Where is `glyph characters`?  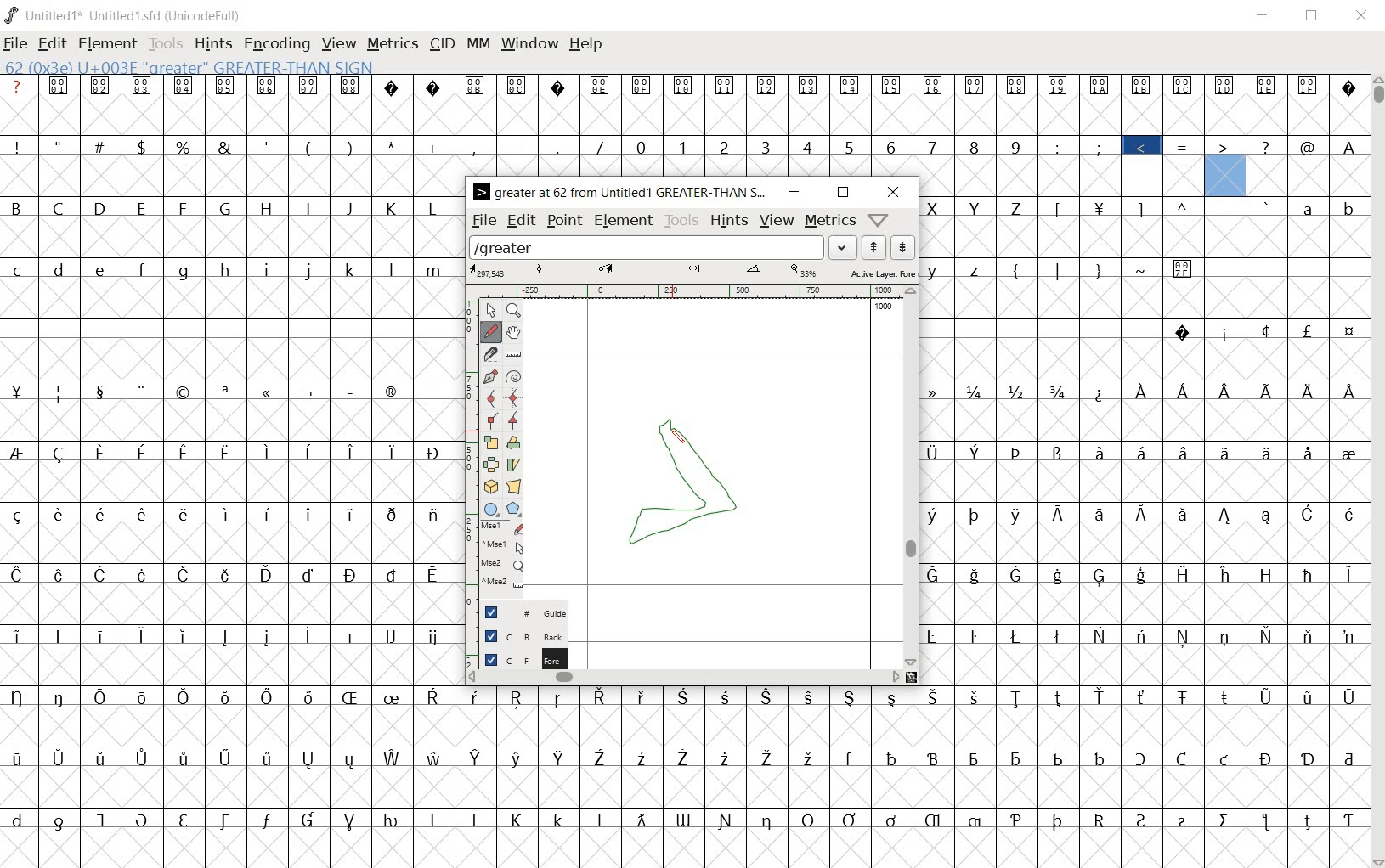
glyph characters is located at coordinates (913, 777).